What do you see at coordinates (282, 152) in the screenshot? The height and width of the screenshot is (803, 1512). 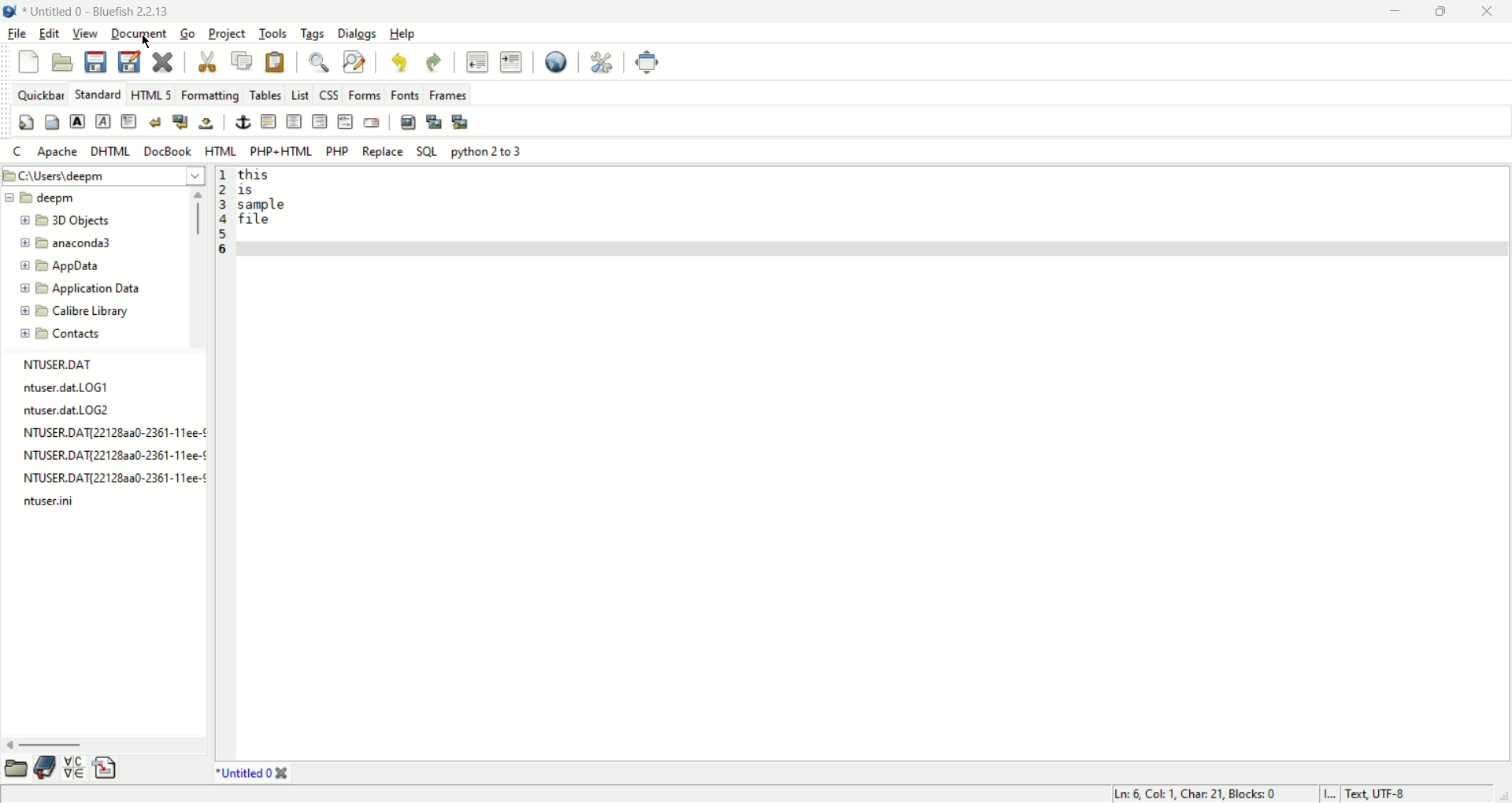 I see `PHP+HTML` at bounding box center [282, 152].